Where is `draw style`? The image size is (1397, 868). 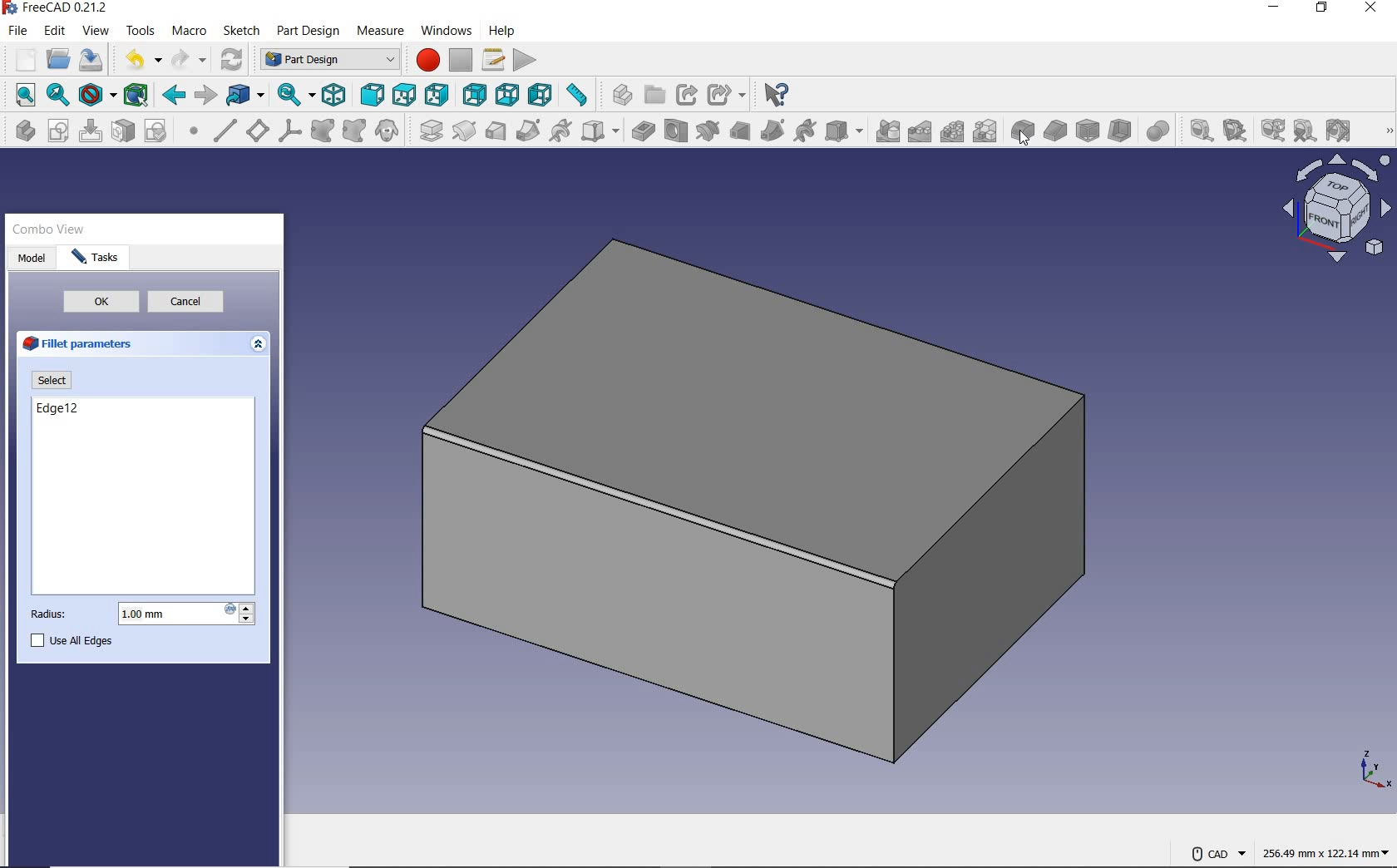 draw style is located at coordinates (99, 96).